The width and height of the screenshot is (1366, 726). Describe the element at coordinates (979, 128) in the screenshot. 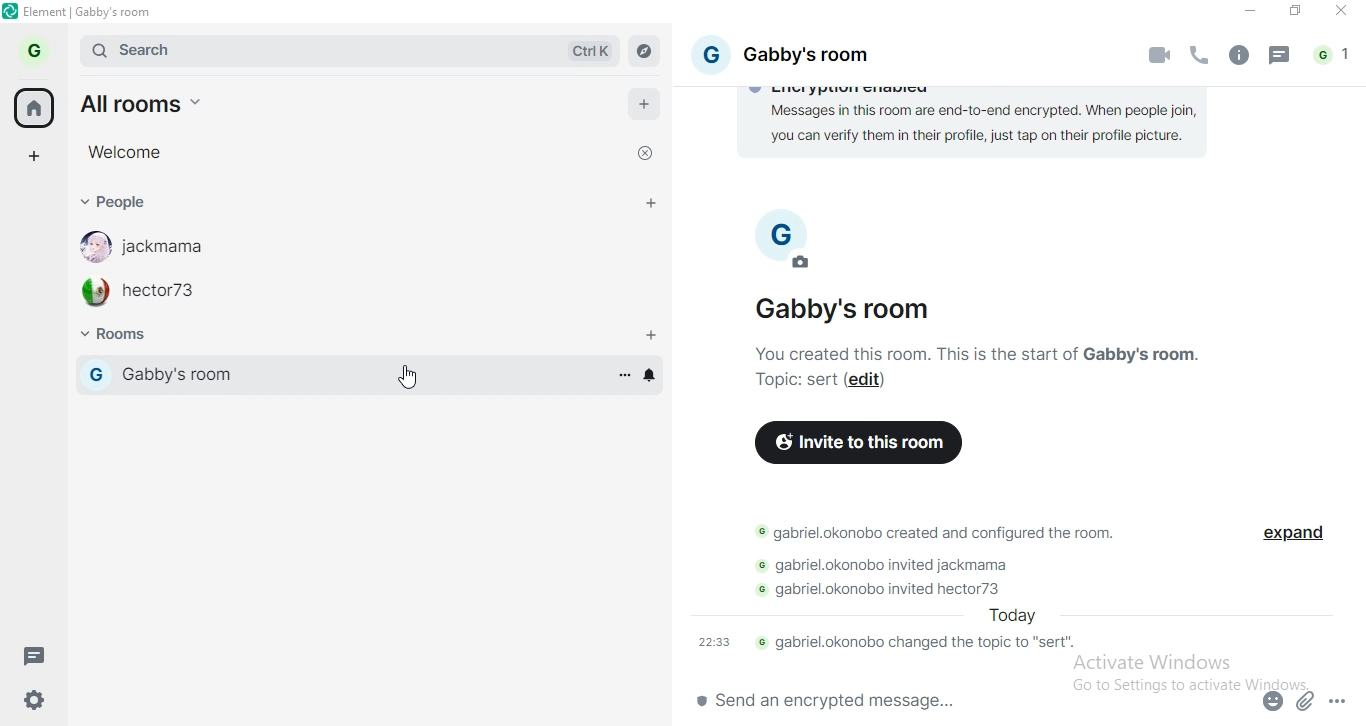

I see `text 1` at that location.